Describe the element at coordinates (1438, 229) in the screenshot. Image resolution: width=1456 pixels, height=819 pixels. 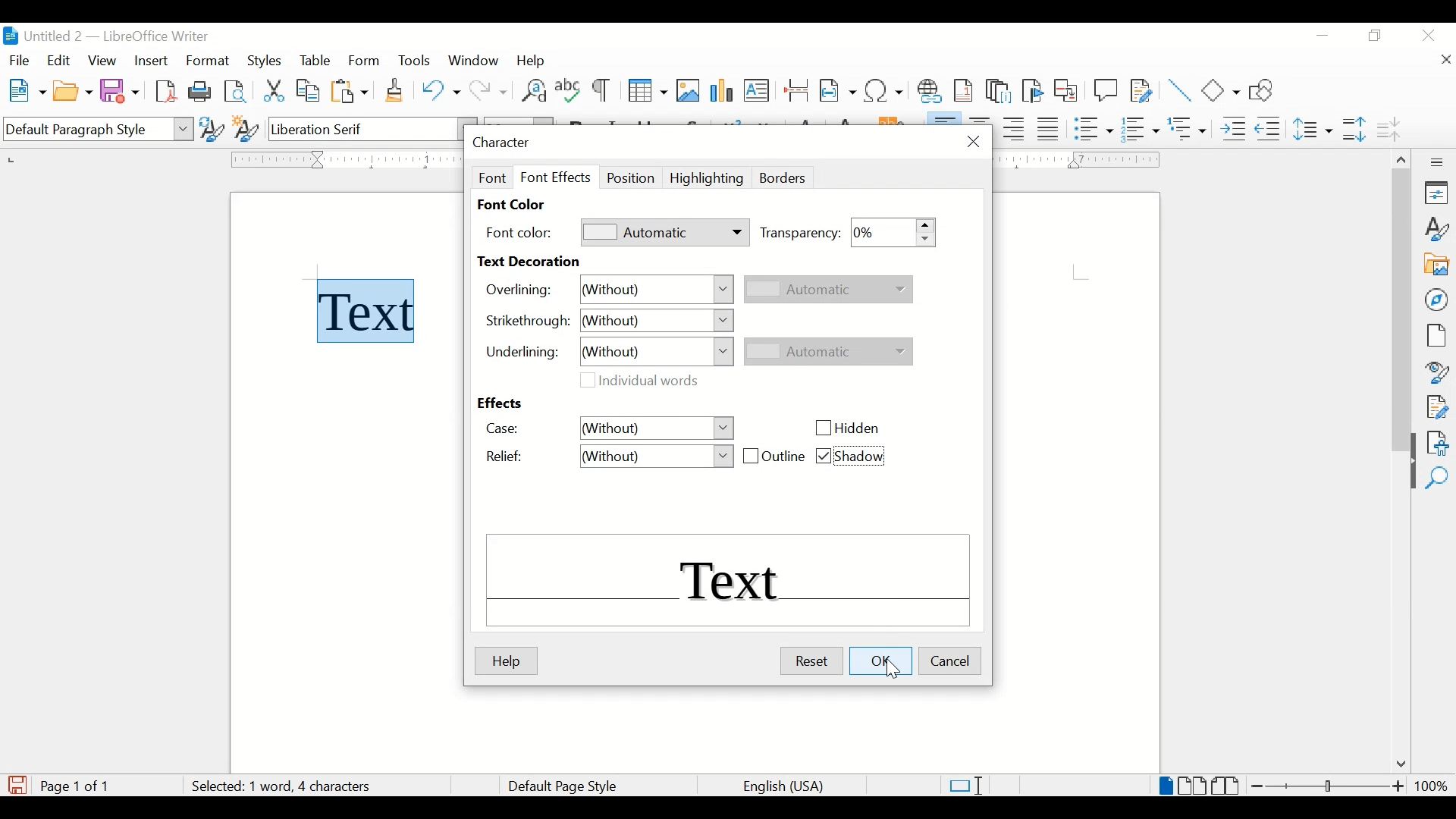
I see `styles` at that location.